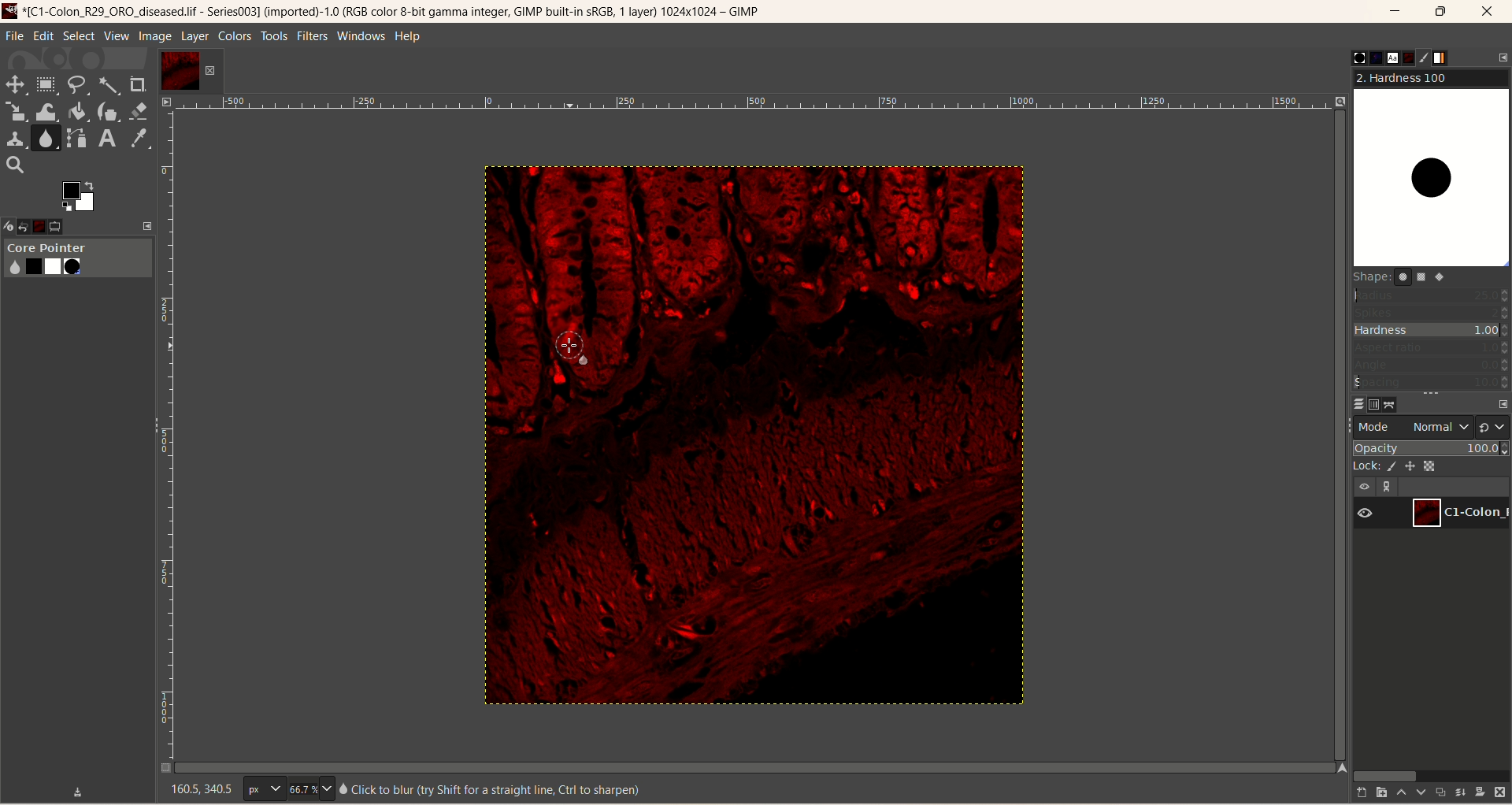 The width and height of the screenshot is (1512, 805). I want to click on layer1, so click(190, 71).